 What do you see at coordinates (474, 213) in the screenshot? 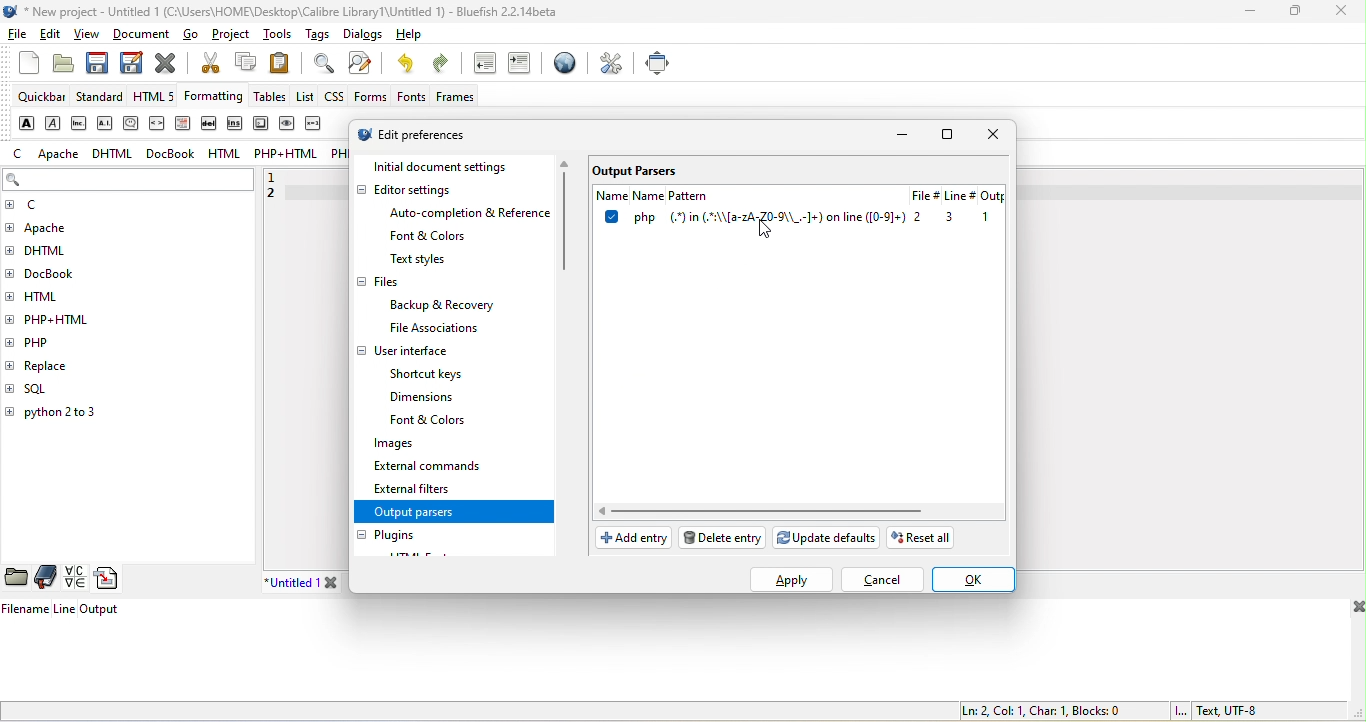
I see `auto completion & reference` at bounding box center [474, 213].